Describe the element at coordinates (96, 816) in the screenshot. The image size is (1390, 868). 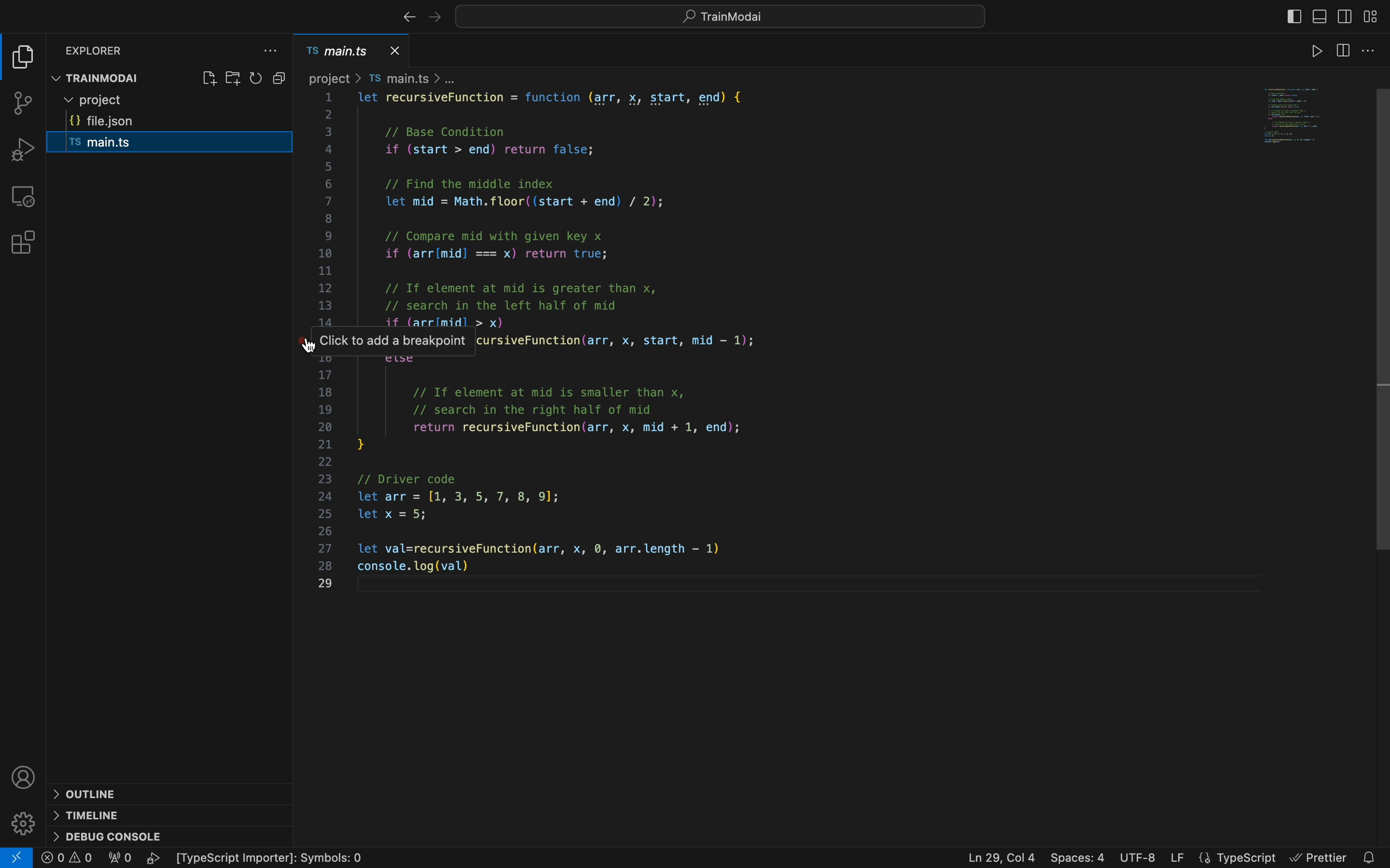
I see `timeline` at that location.